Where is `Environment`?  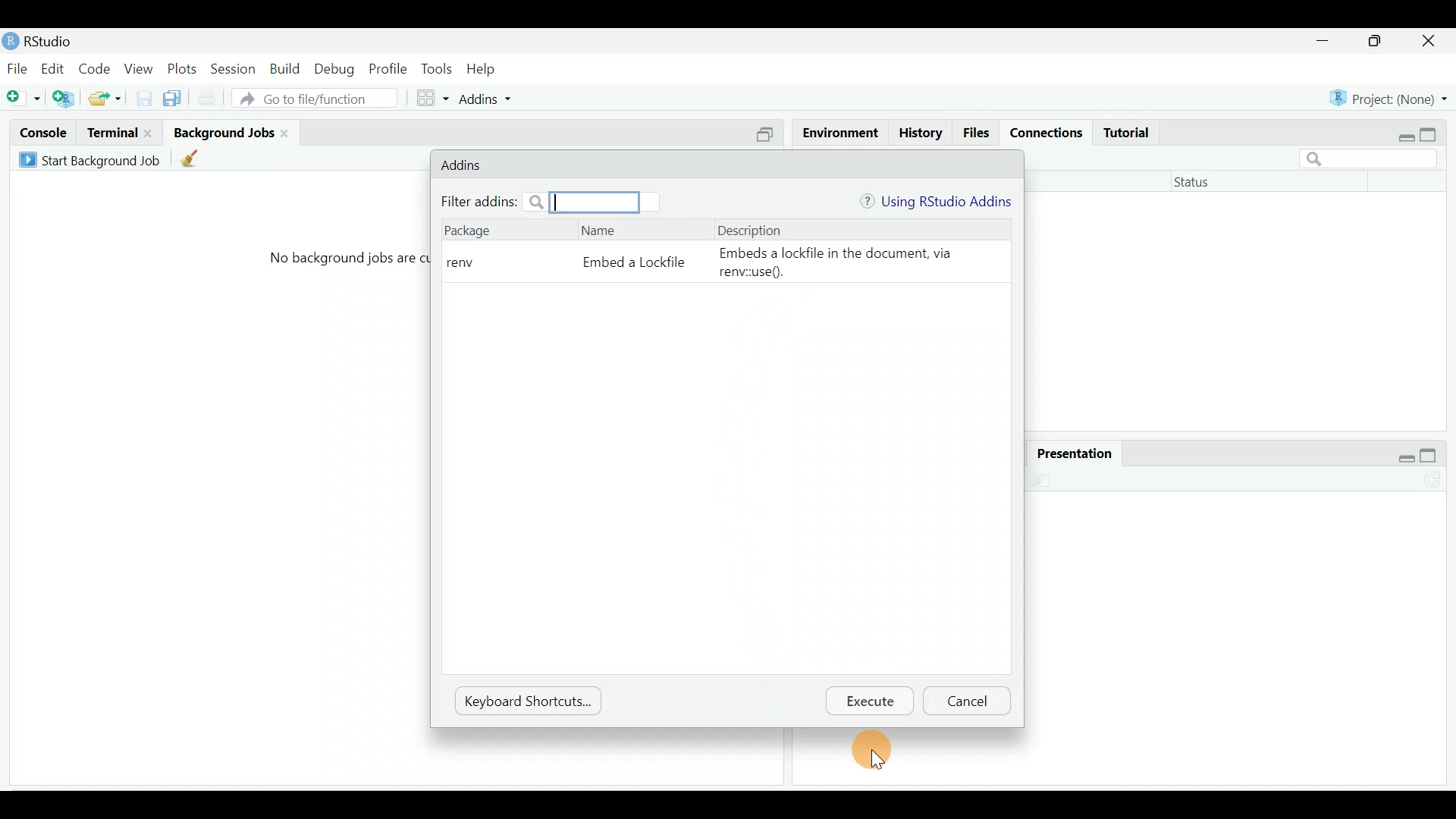
Environment is located at coordinates (841, 130).